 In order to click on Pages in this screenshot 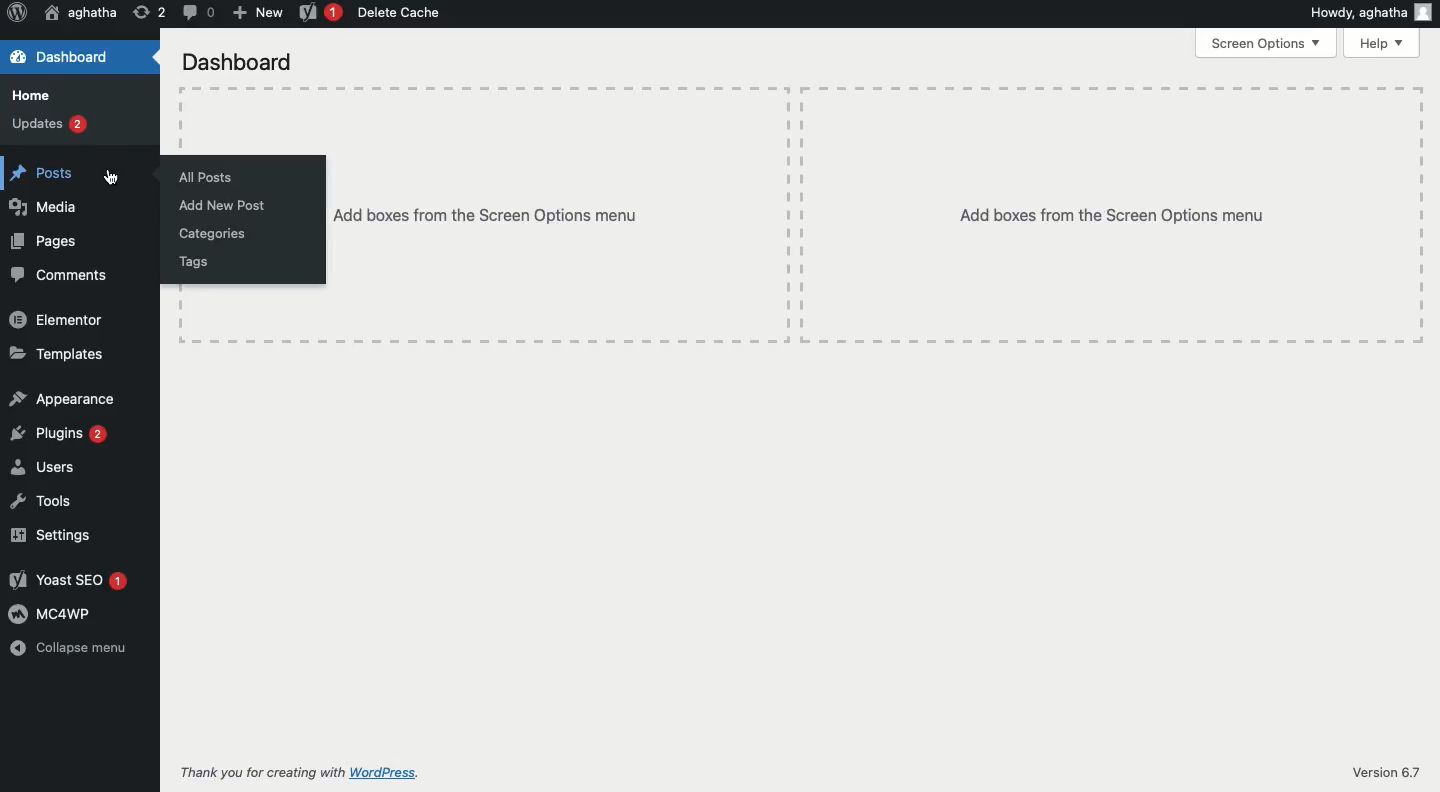, I will do `click(46, 240)`.